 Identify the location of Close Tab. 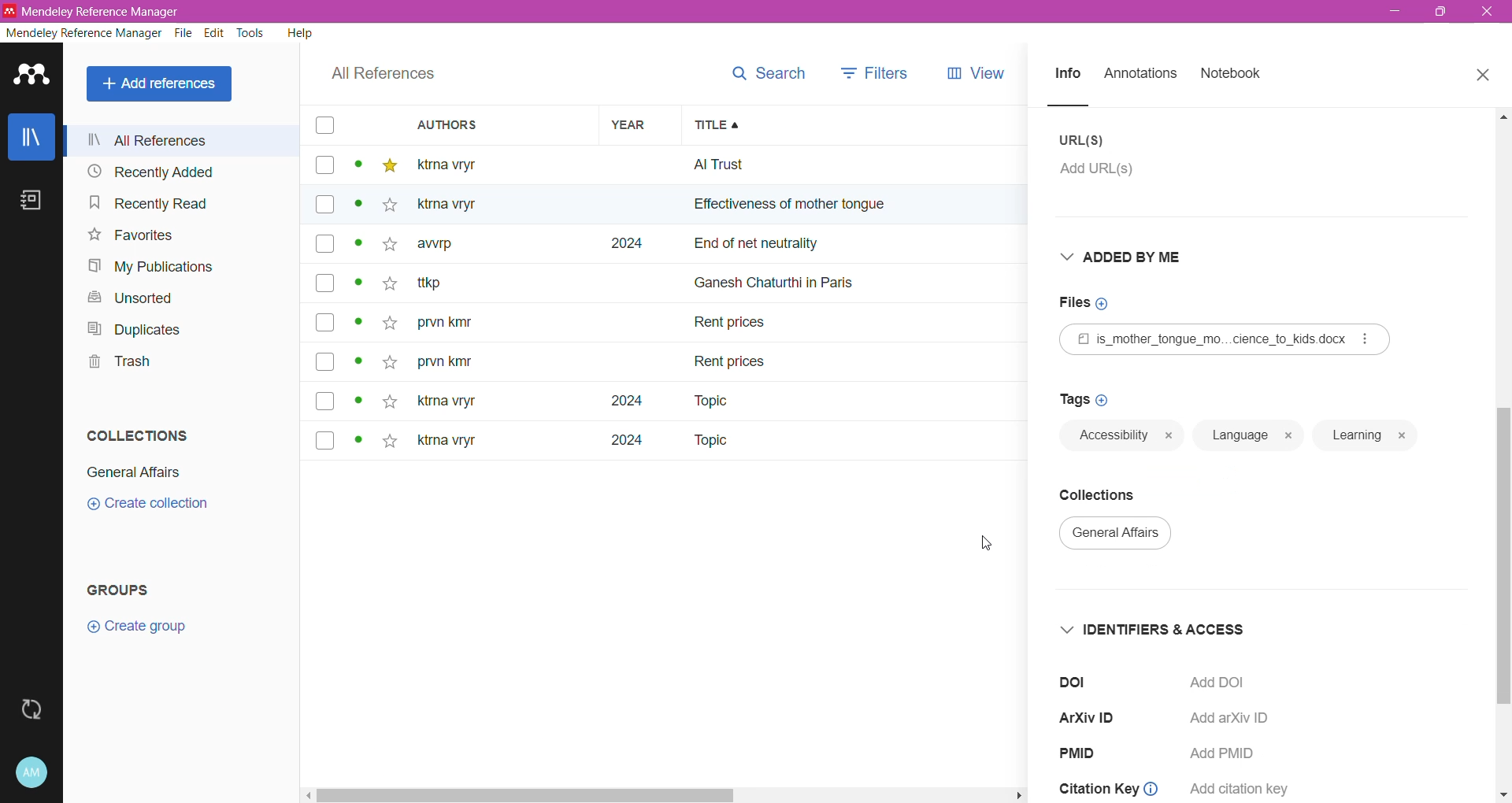
(1485, 76).